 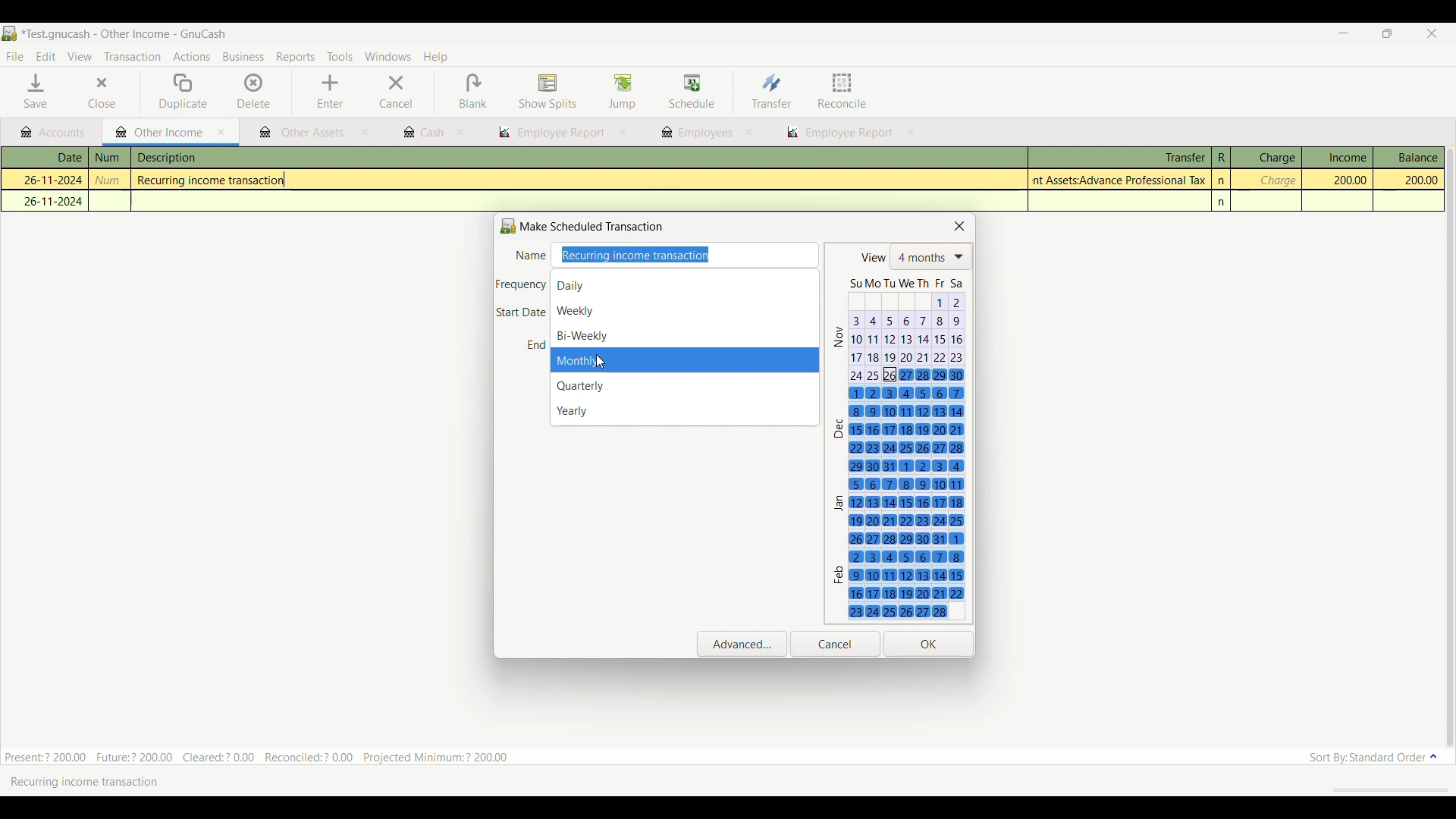 I want to click on charge, so click(x=1276, y=180).